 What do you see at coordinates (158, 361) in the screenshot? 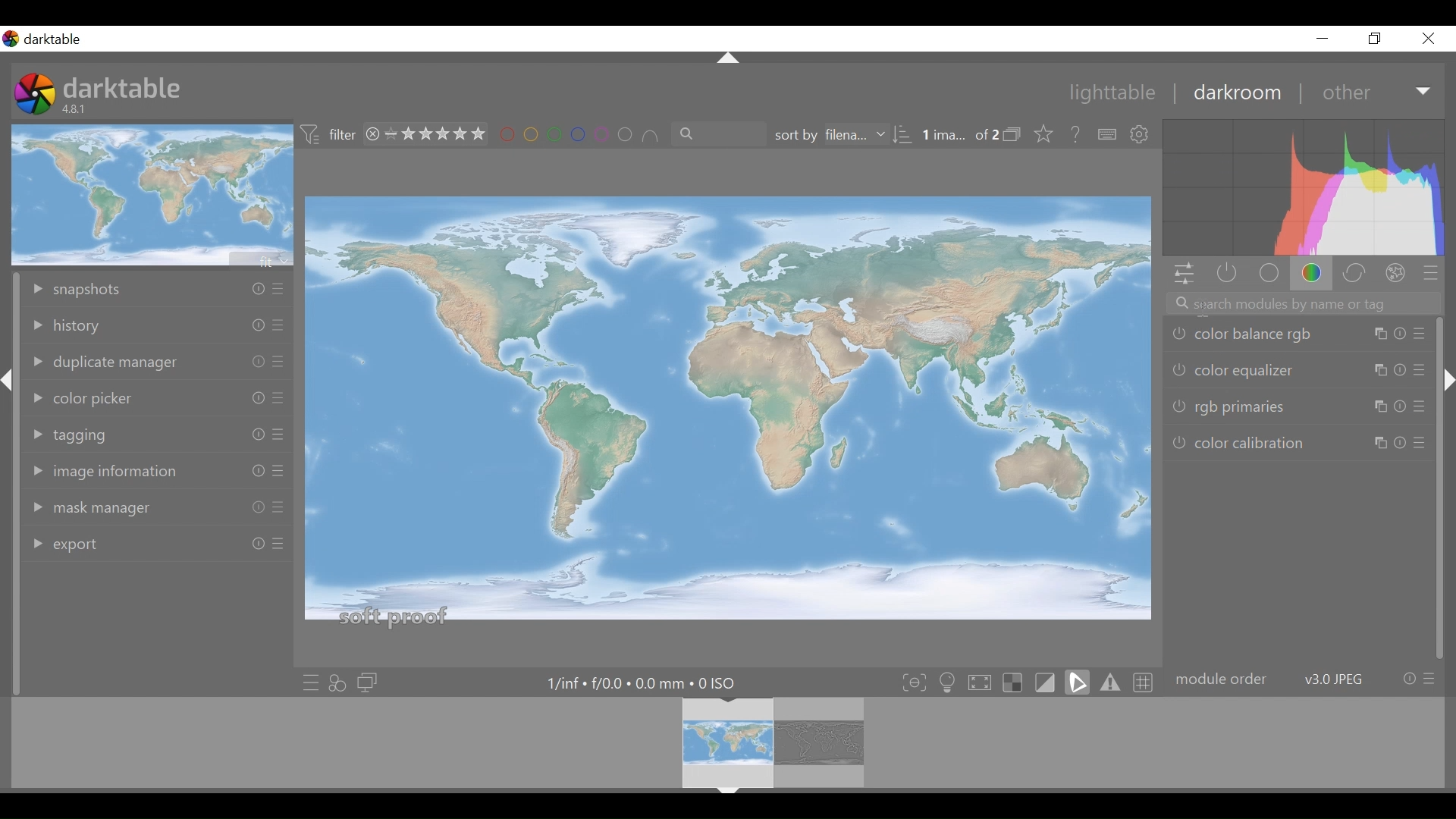
I see `duplicate manager` at bounding box center [158, 361].